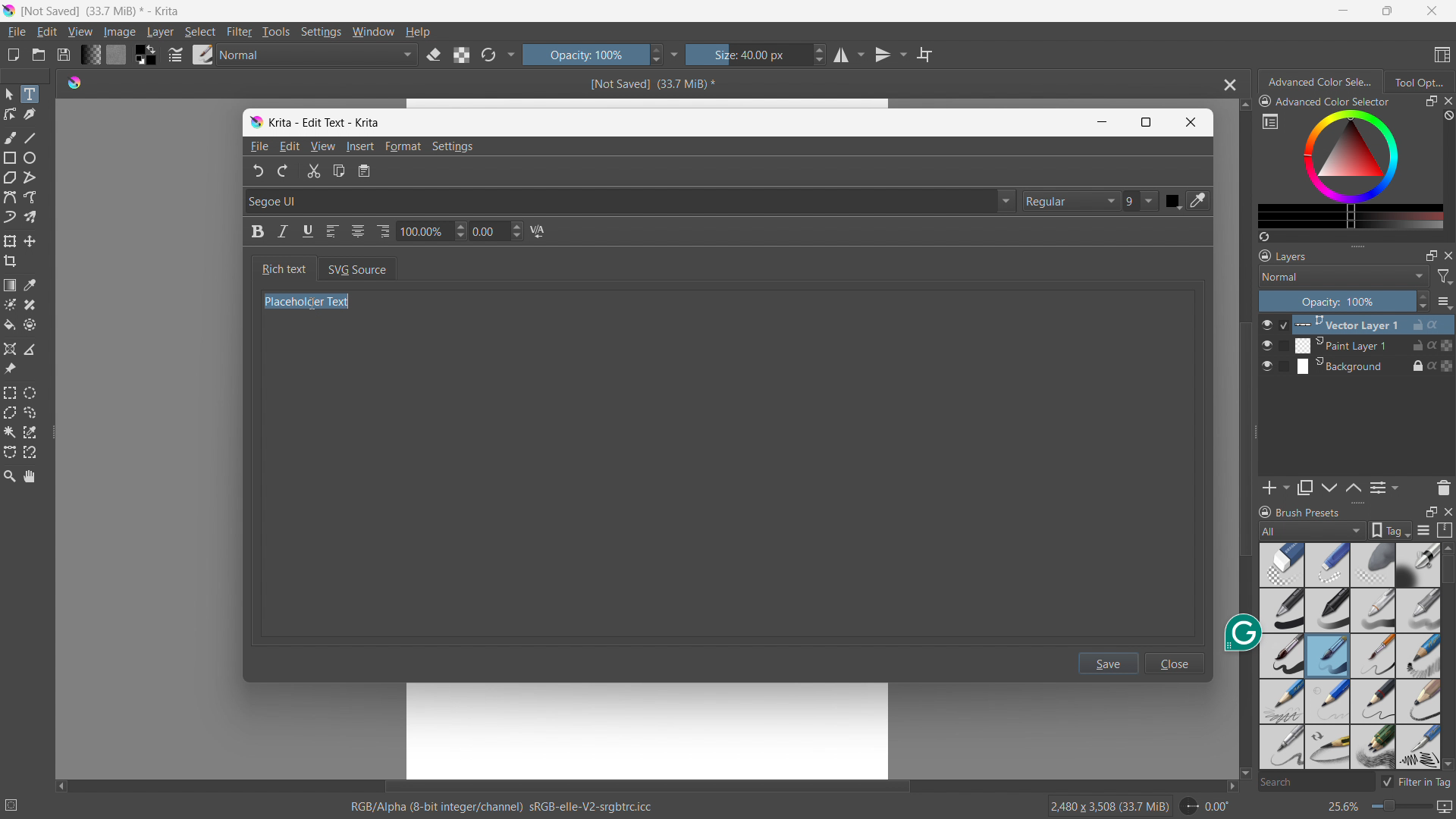  I want to click on brush presets, so click(203, 54).